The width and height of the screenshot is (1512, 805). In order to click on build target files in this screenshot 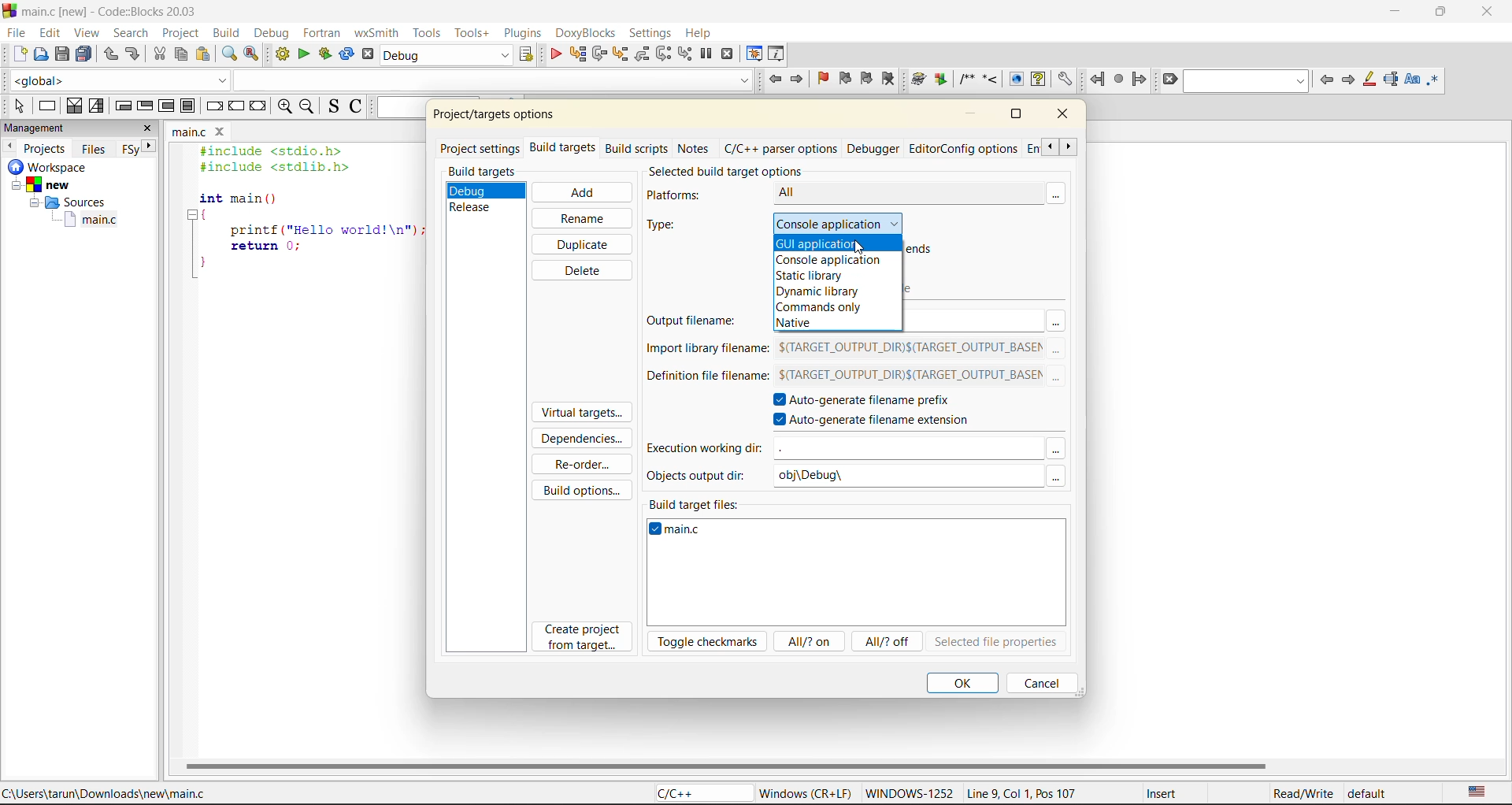, I will do `click(702, 503)`.